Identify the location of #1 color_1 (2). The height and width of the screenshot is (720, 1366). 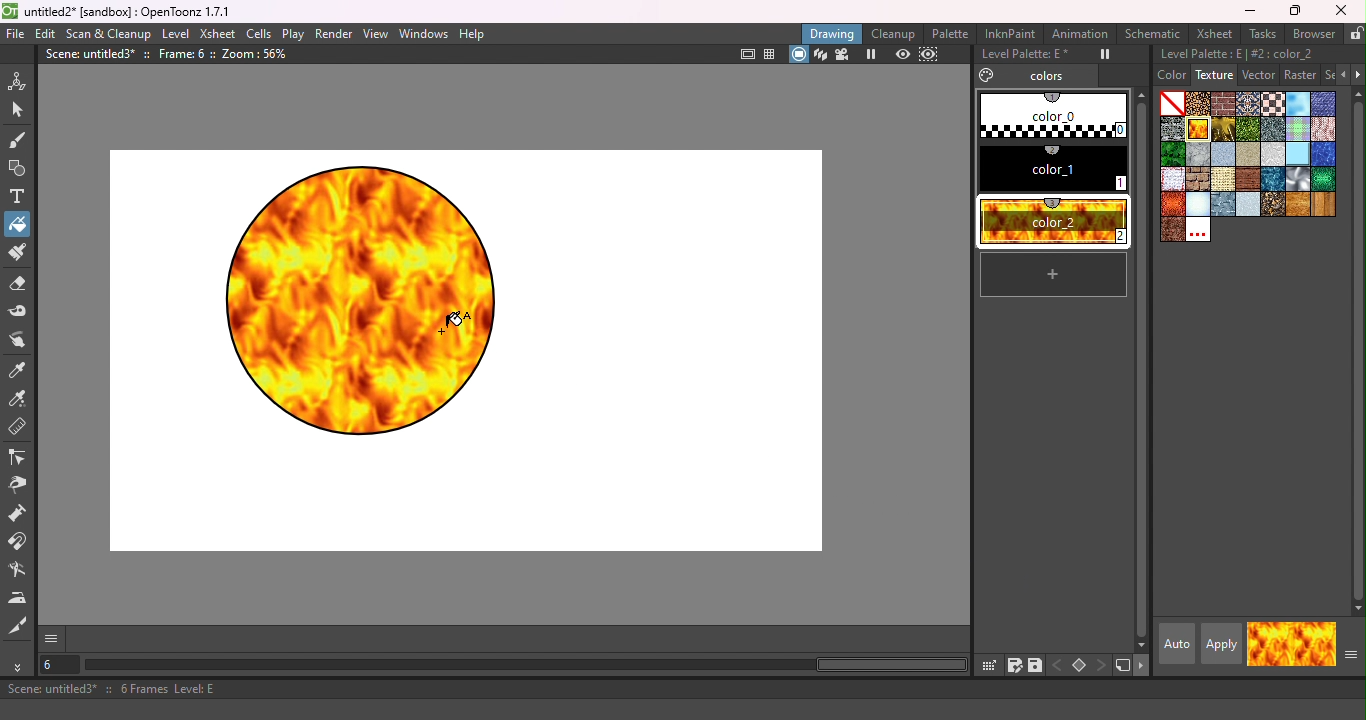
(1049, 170).